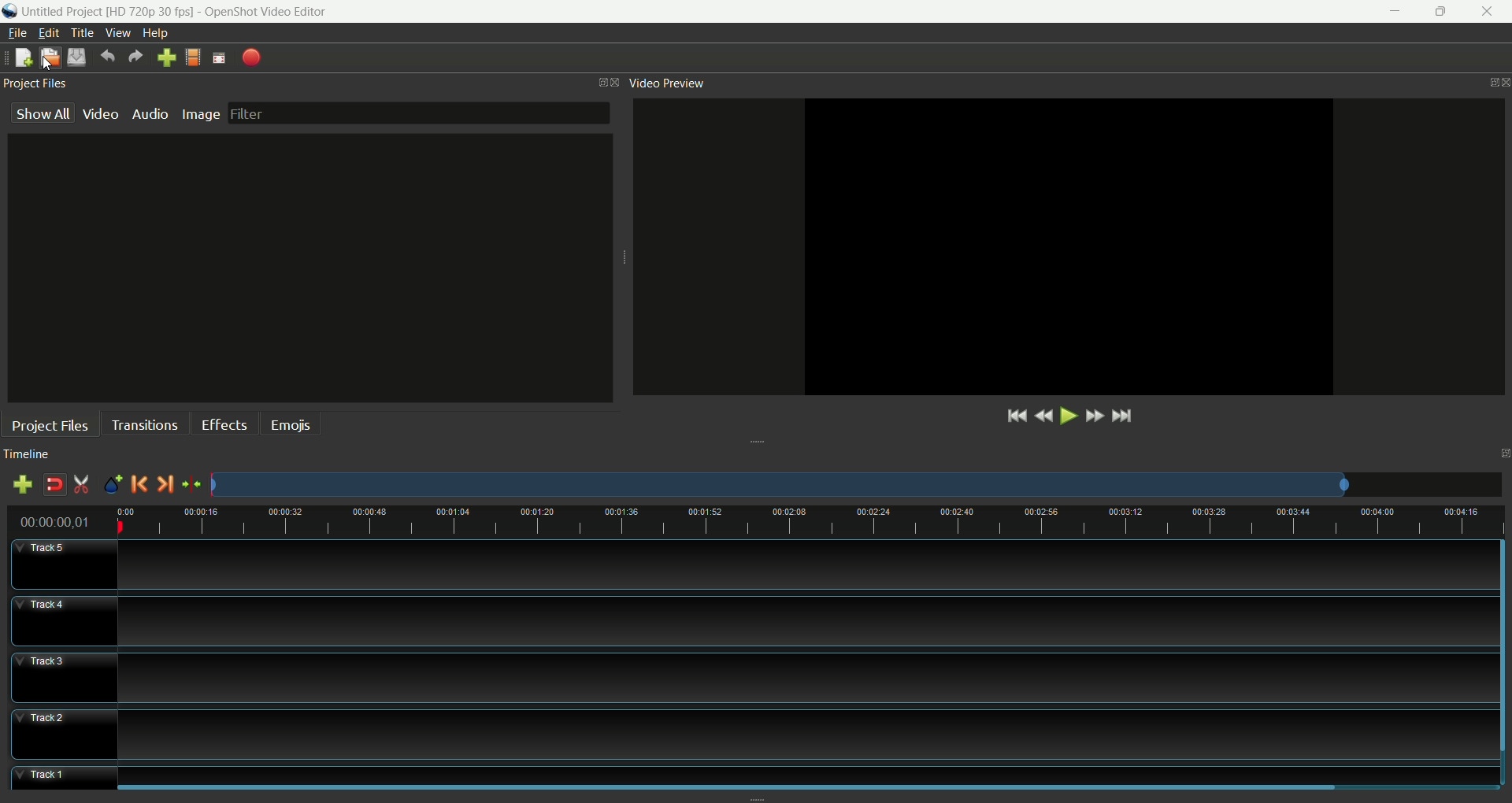 The width and height of the screenshot is (1512, 803). Describe the element at coordinates (202, 115) in the screenshot. I see `image` at that location.